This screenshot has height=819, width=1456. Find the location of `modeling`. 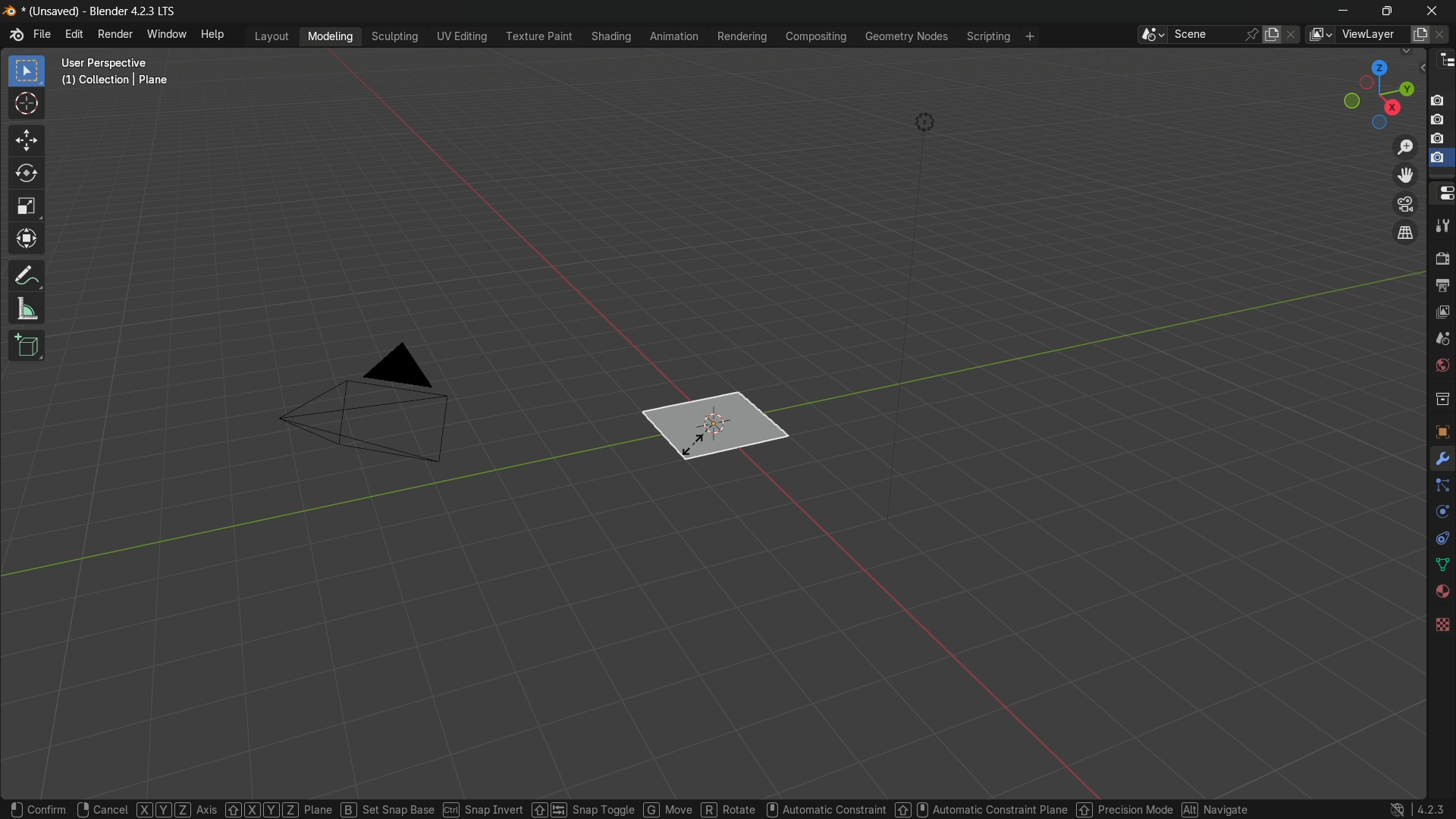

modeling is located at coordinates (328, 36).